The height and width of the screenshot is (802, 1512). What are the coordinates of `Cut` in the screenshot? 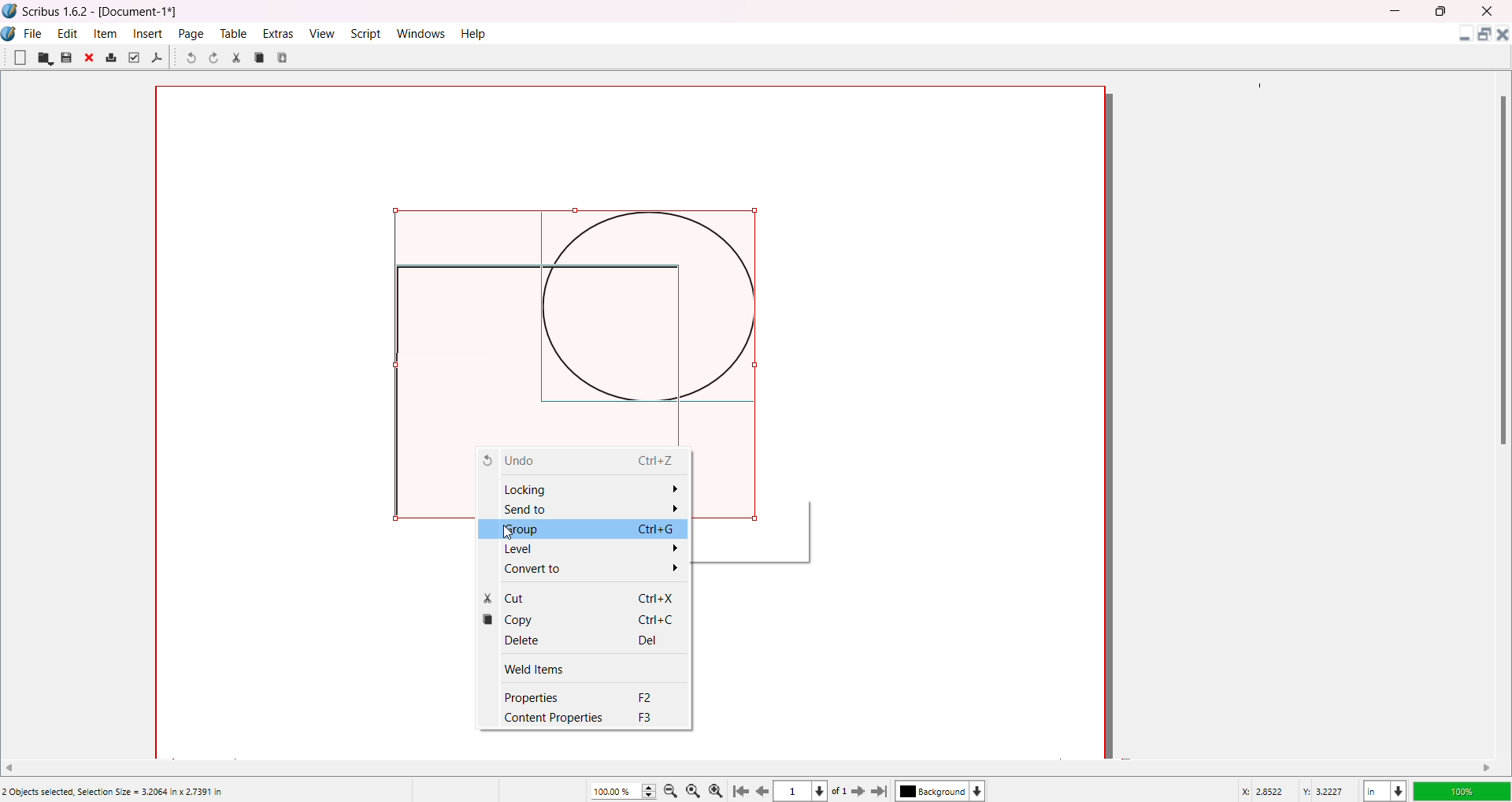 It's located at (236, 58).